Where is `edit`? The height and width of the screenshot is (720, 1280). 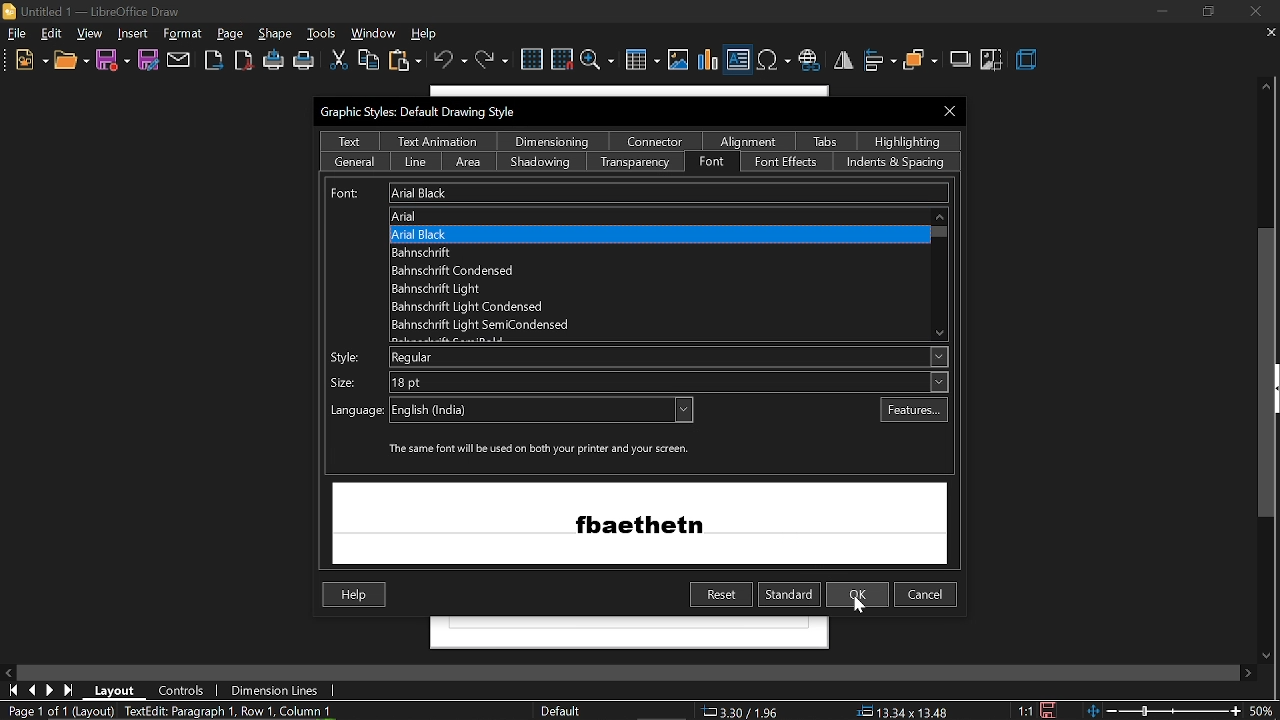 edit is located at coordinates (52, 34).